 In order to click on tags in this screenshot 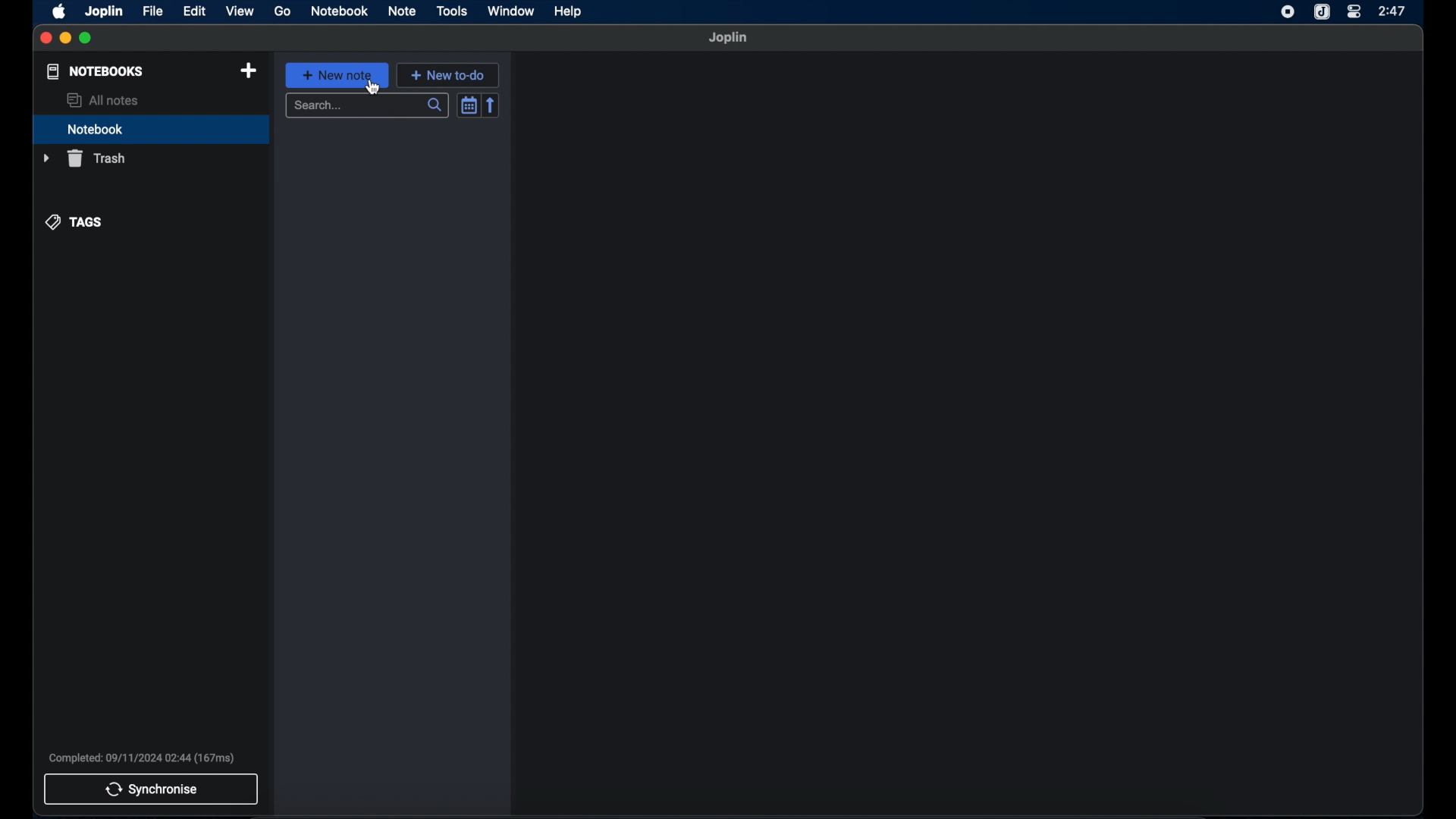, I will do `click(73, 221)`.